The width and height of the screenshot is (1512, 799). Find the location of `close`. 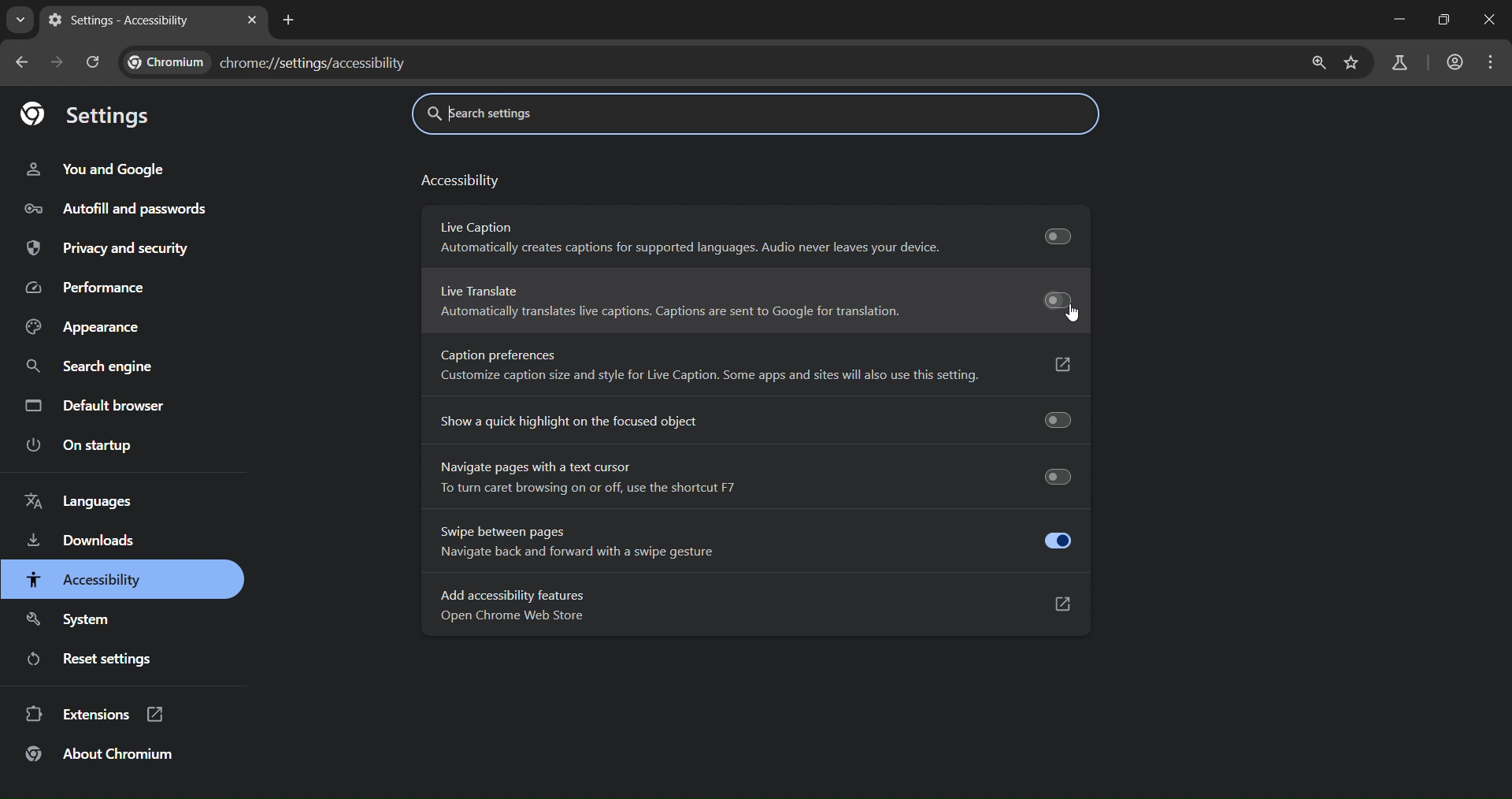

close is located at coordinates (1490, 19).